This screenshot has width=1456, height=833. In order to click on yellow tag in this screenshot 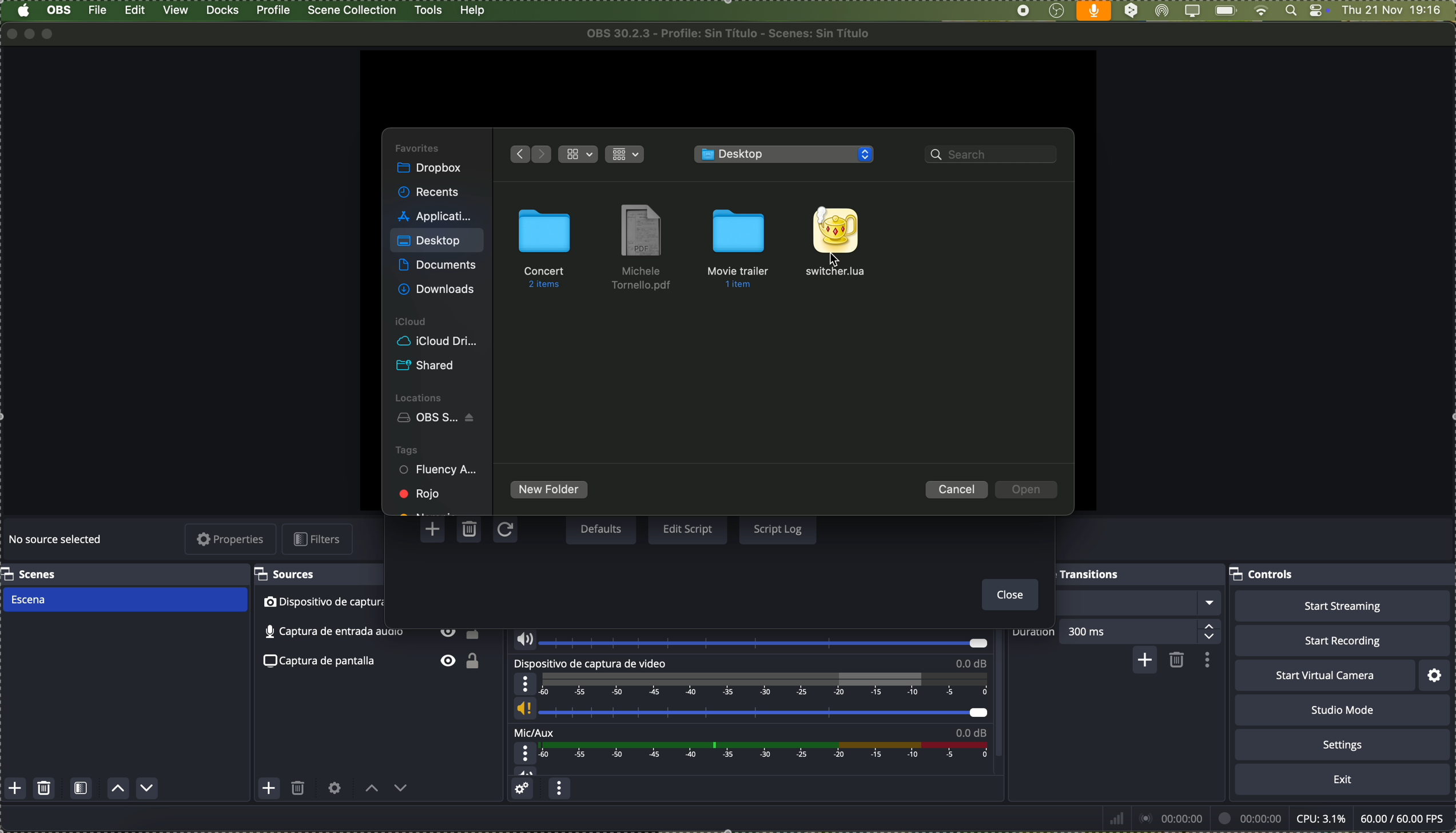, I will do `click(428, 510)`.